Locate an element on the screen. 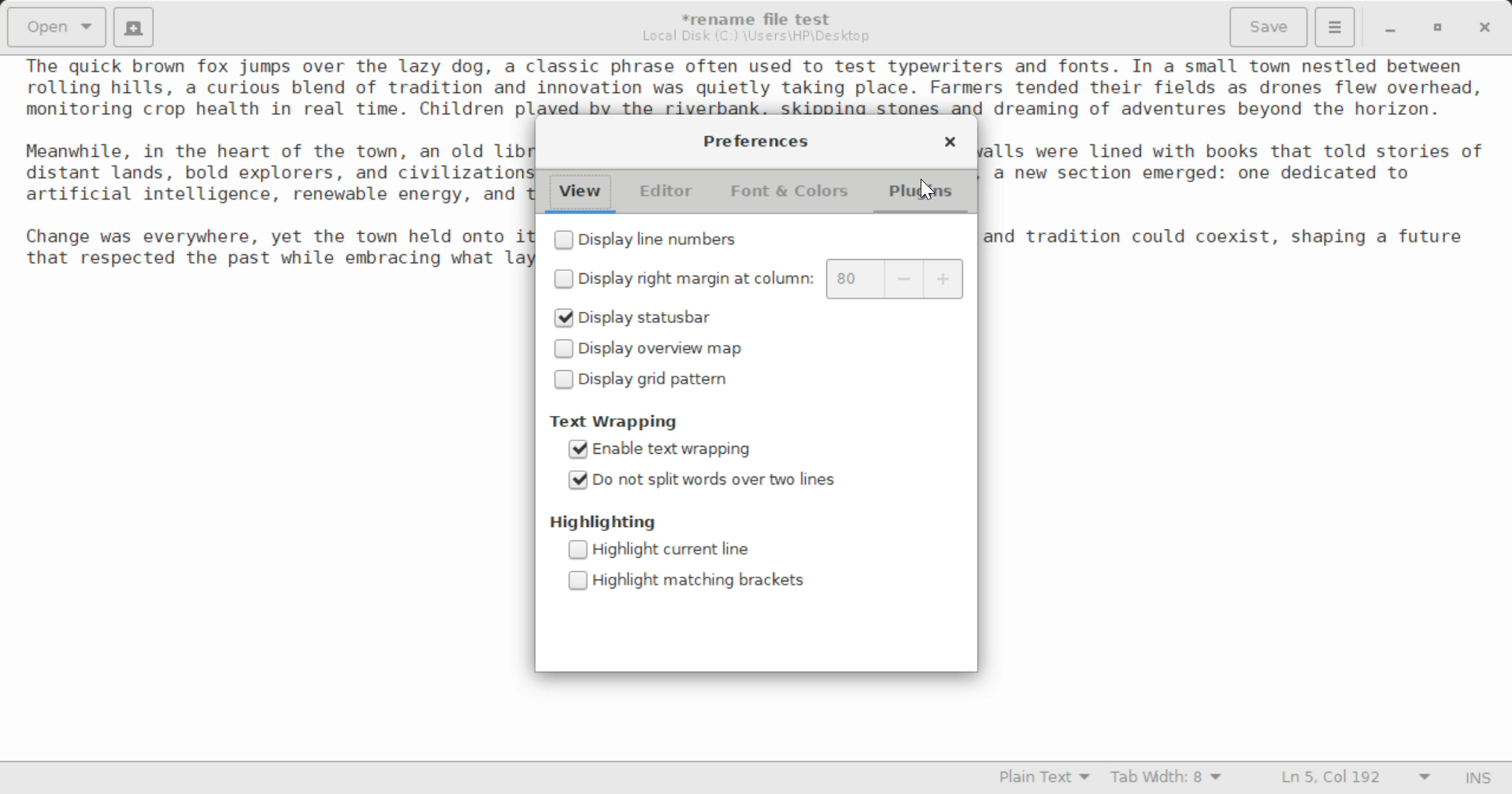 The image size is (1512, 794). Input Mode is located at coordinates (1478, 780).